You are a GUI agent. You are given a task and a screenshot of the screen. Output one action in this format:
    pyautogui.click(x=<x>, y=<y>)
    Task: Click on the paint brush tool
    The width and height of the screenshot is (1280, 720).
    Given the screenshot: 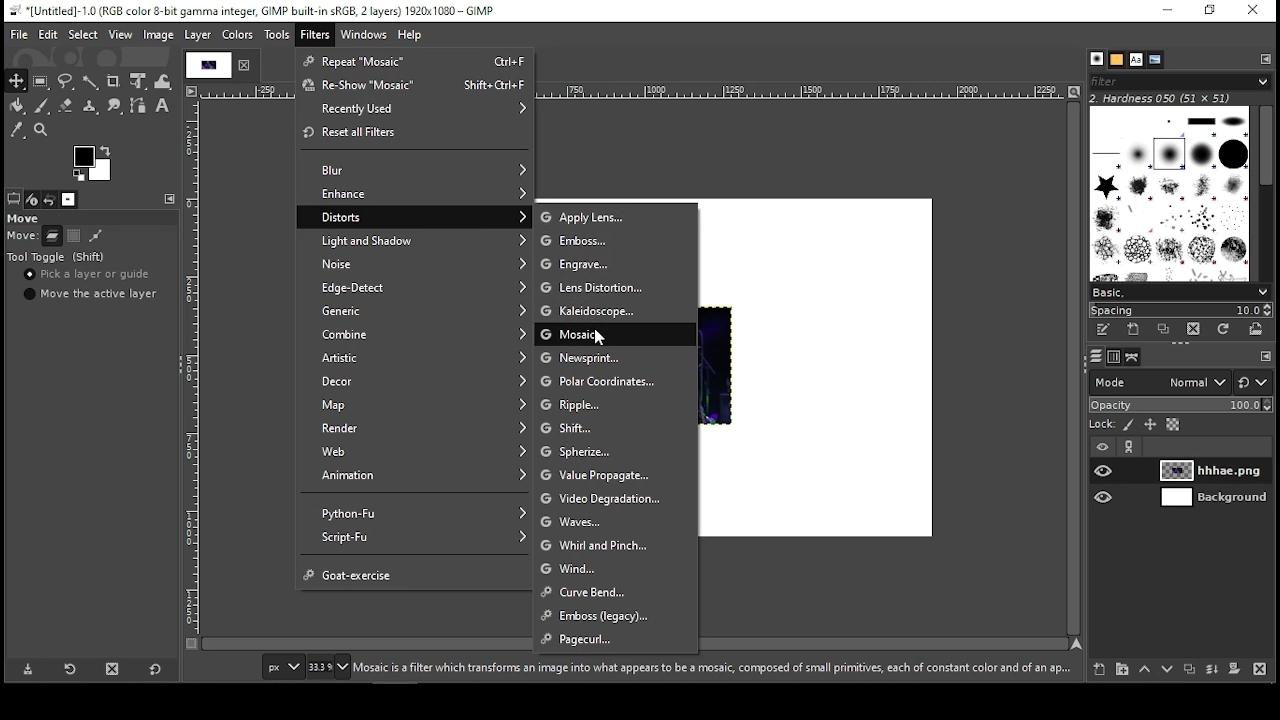 What is the action you would take?
    pyautogui.click(x=44, y=106)
    